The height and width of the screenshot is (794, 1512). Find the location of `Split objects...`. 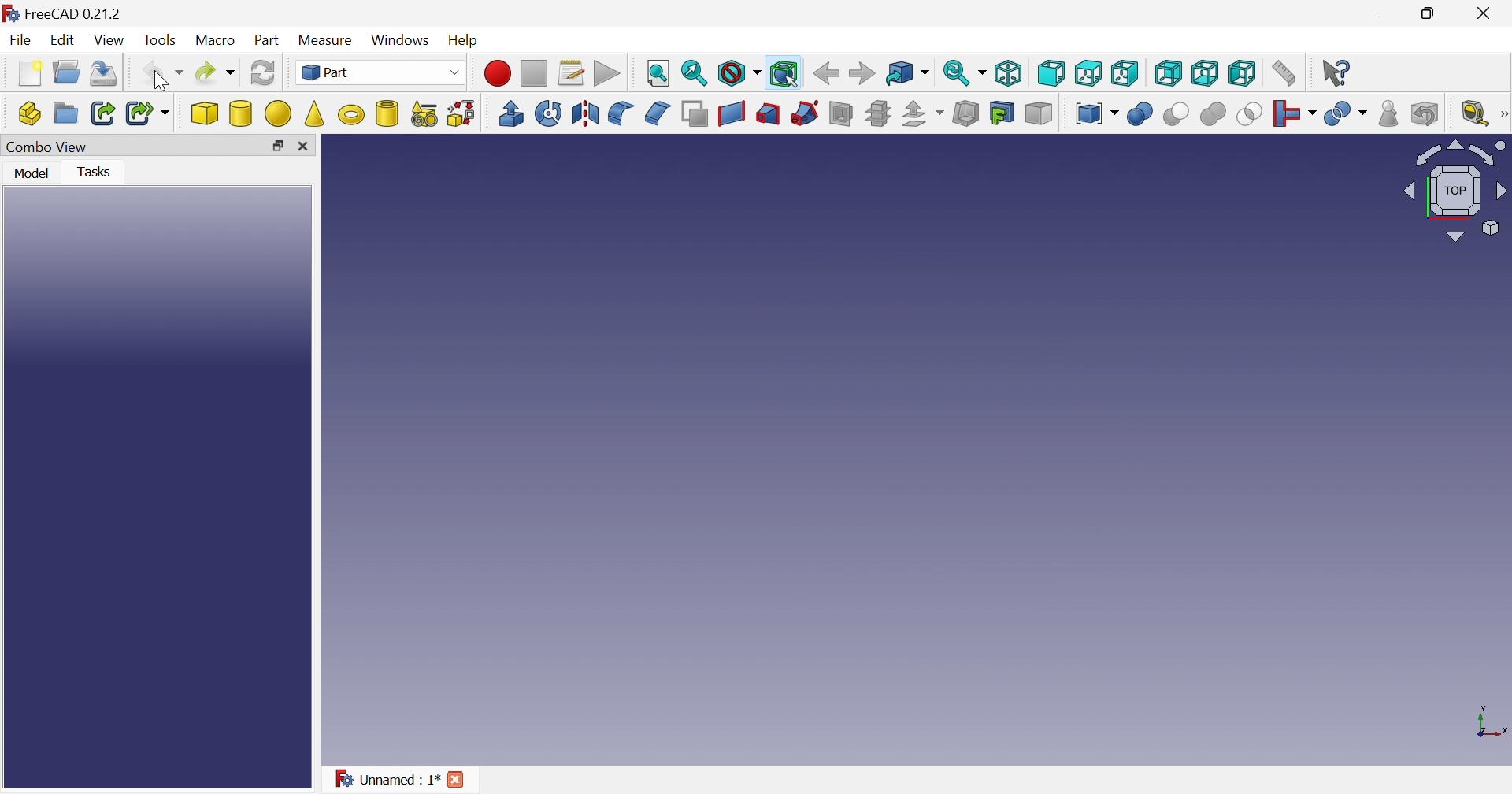

Split objects... is located at coordinates (1345, 114).